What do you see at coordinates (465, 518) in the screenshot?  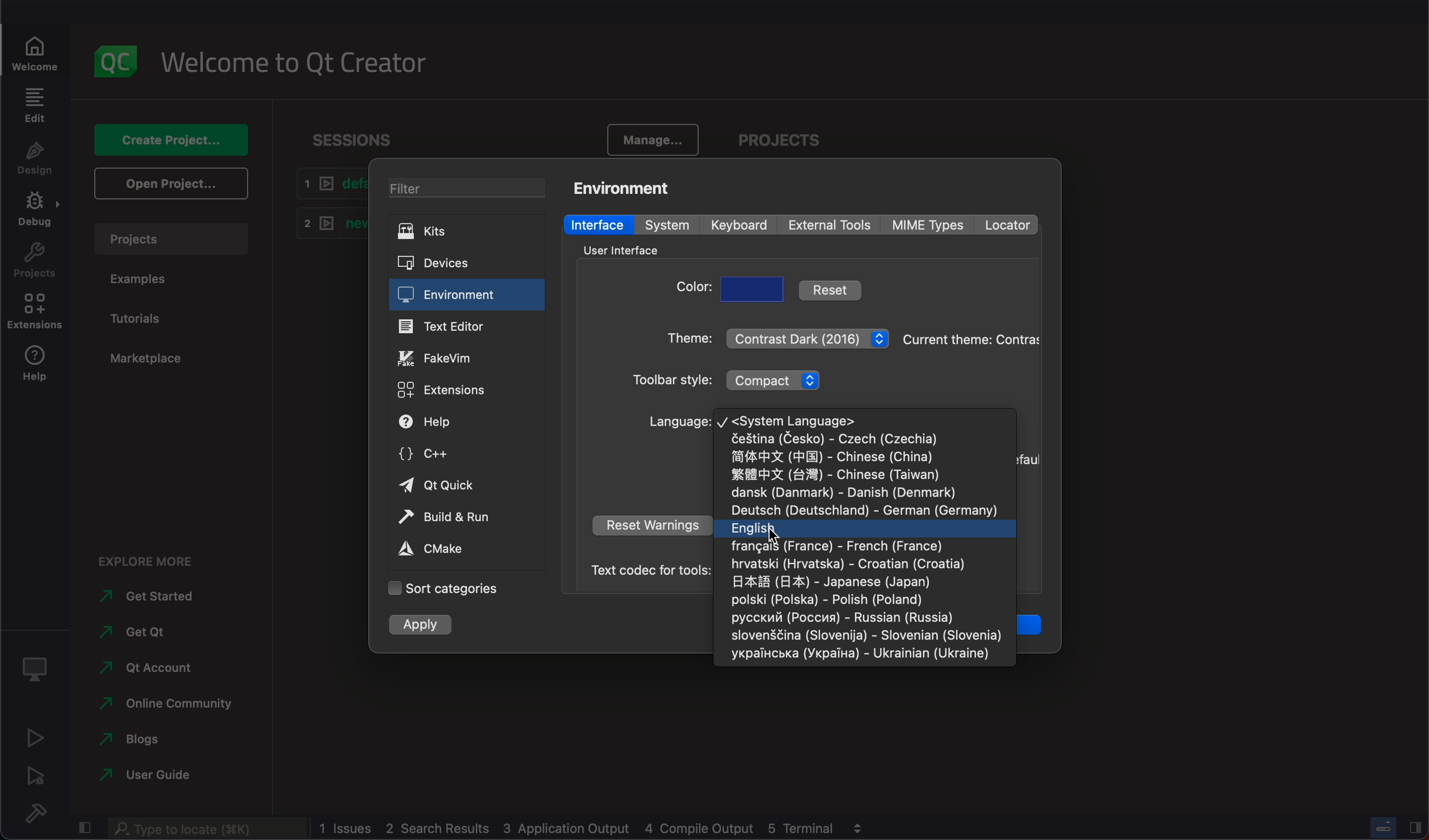 I see `build` at bounding box center [465, 518].